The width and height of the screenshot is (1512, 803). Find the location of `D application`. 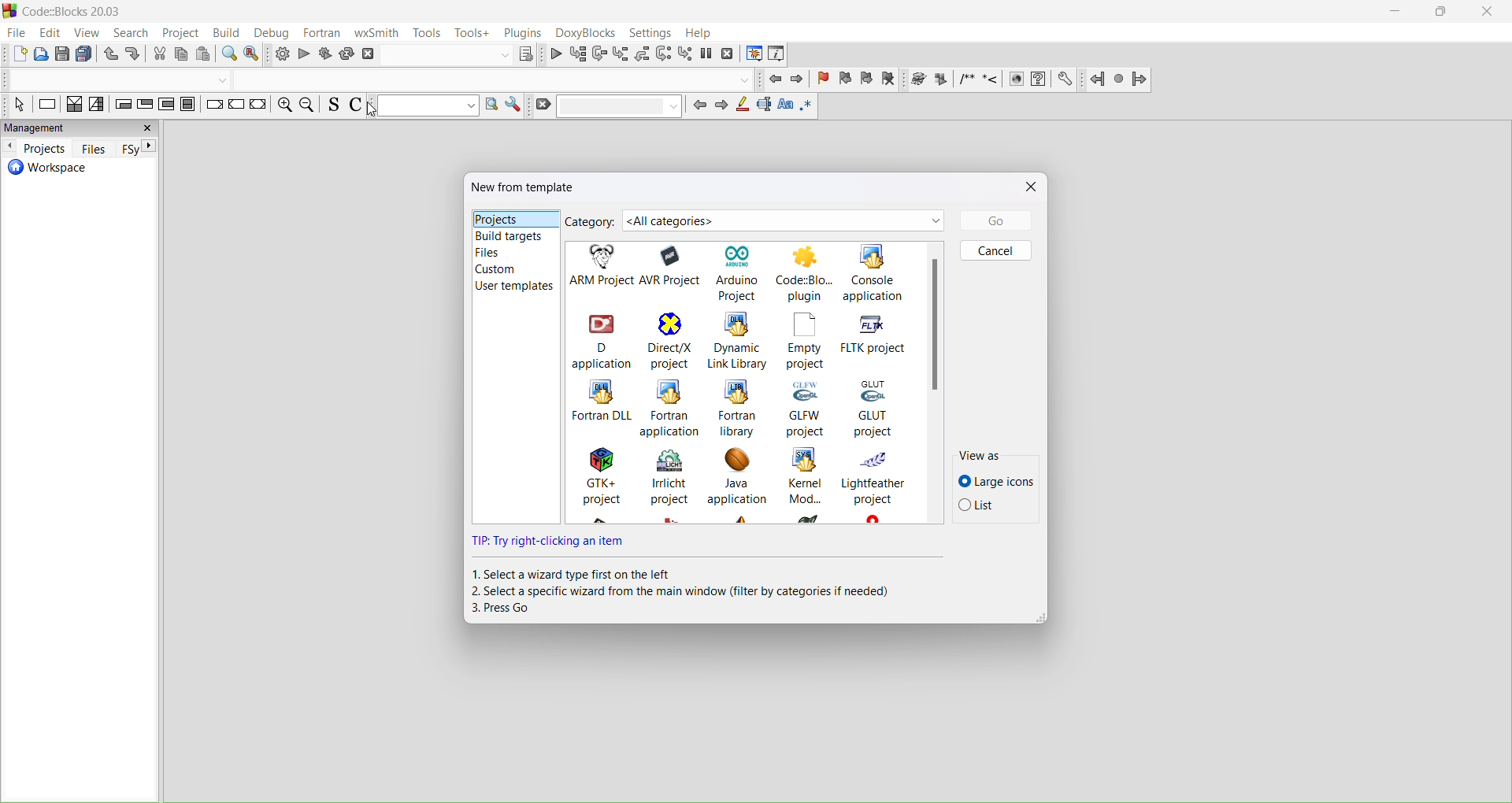

D application is located at coordinates (600, 339).